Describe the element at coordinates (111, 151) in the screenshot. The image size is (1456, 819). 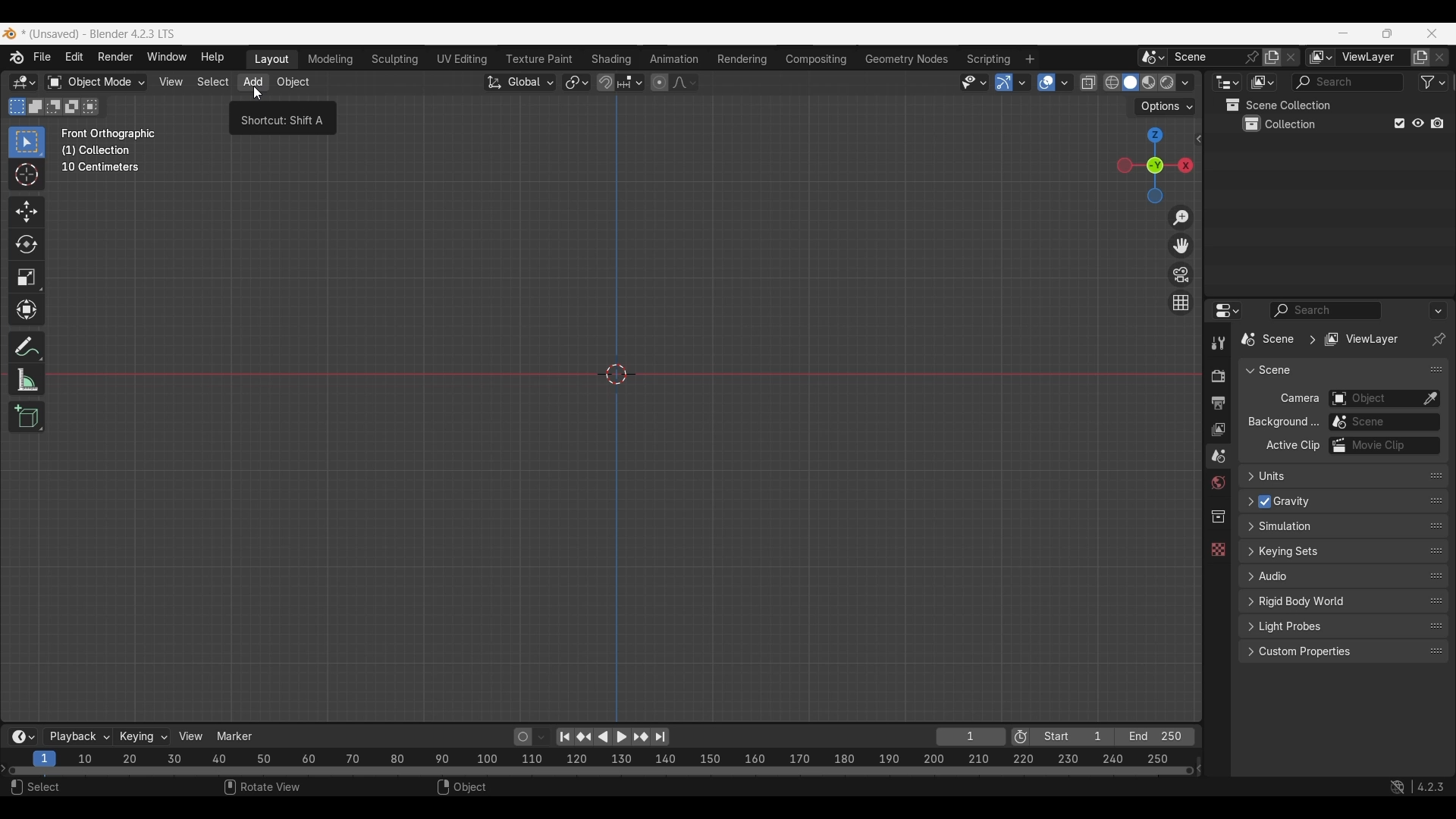
I see `Description of the current frame` at that location.